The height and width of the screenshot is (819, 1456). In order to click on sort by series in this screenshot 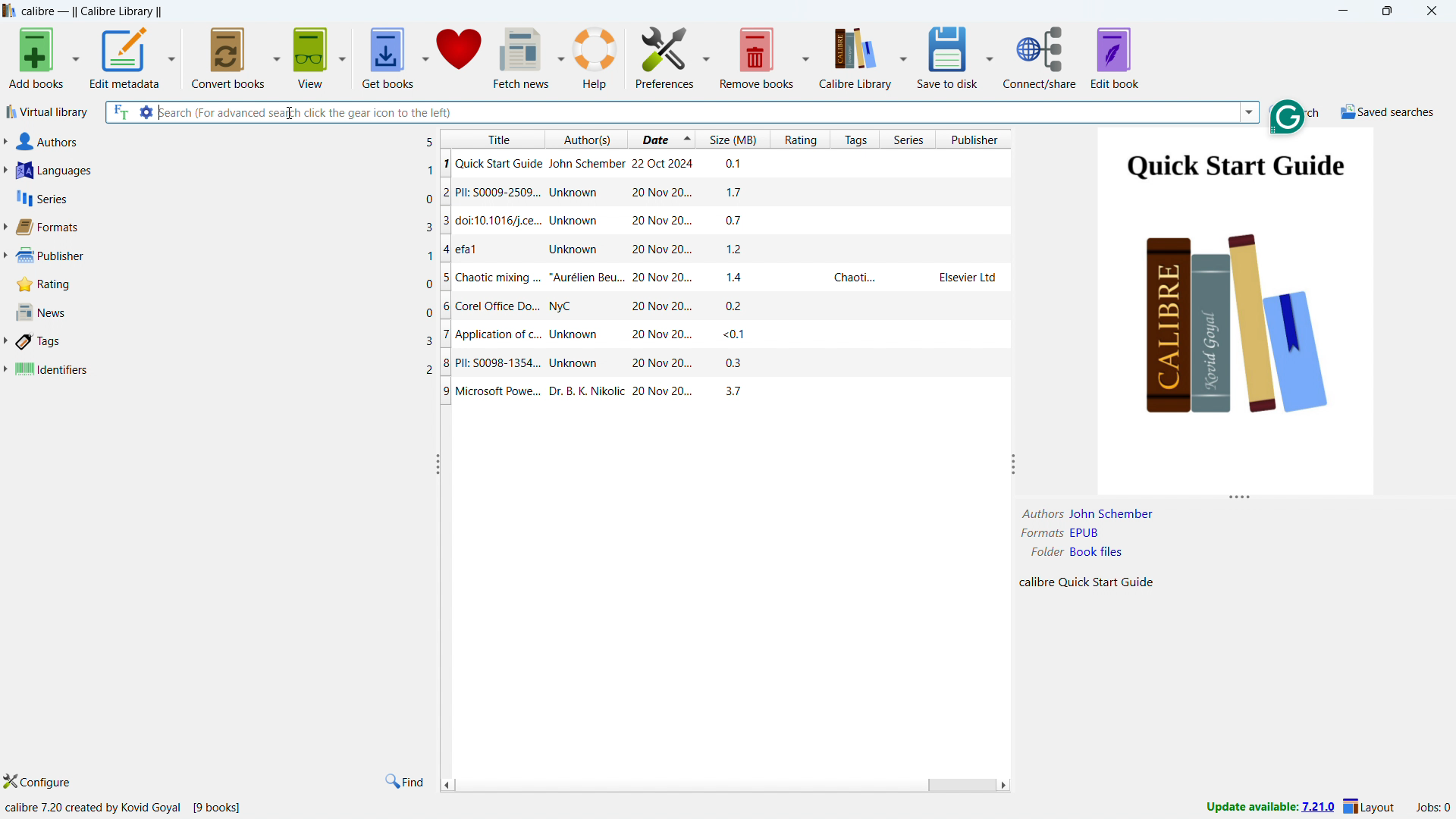, I will do `click(910, 139)`.